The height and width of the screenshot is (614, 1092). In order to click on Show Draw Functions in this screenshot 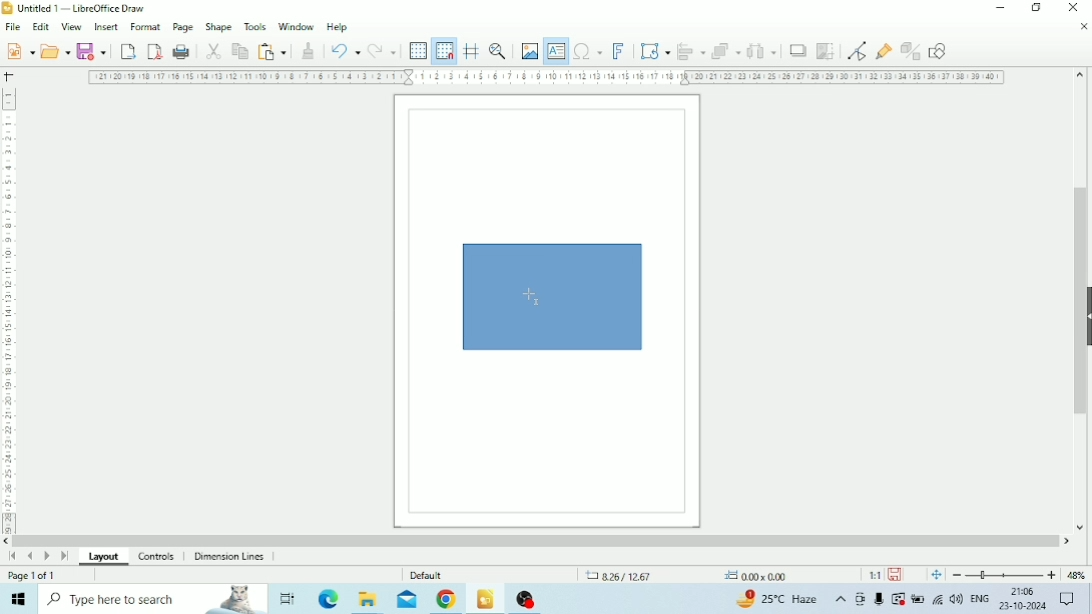, I will do `click(940, 52)`.